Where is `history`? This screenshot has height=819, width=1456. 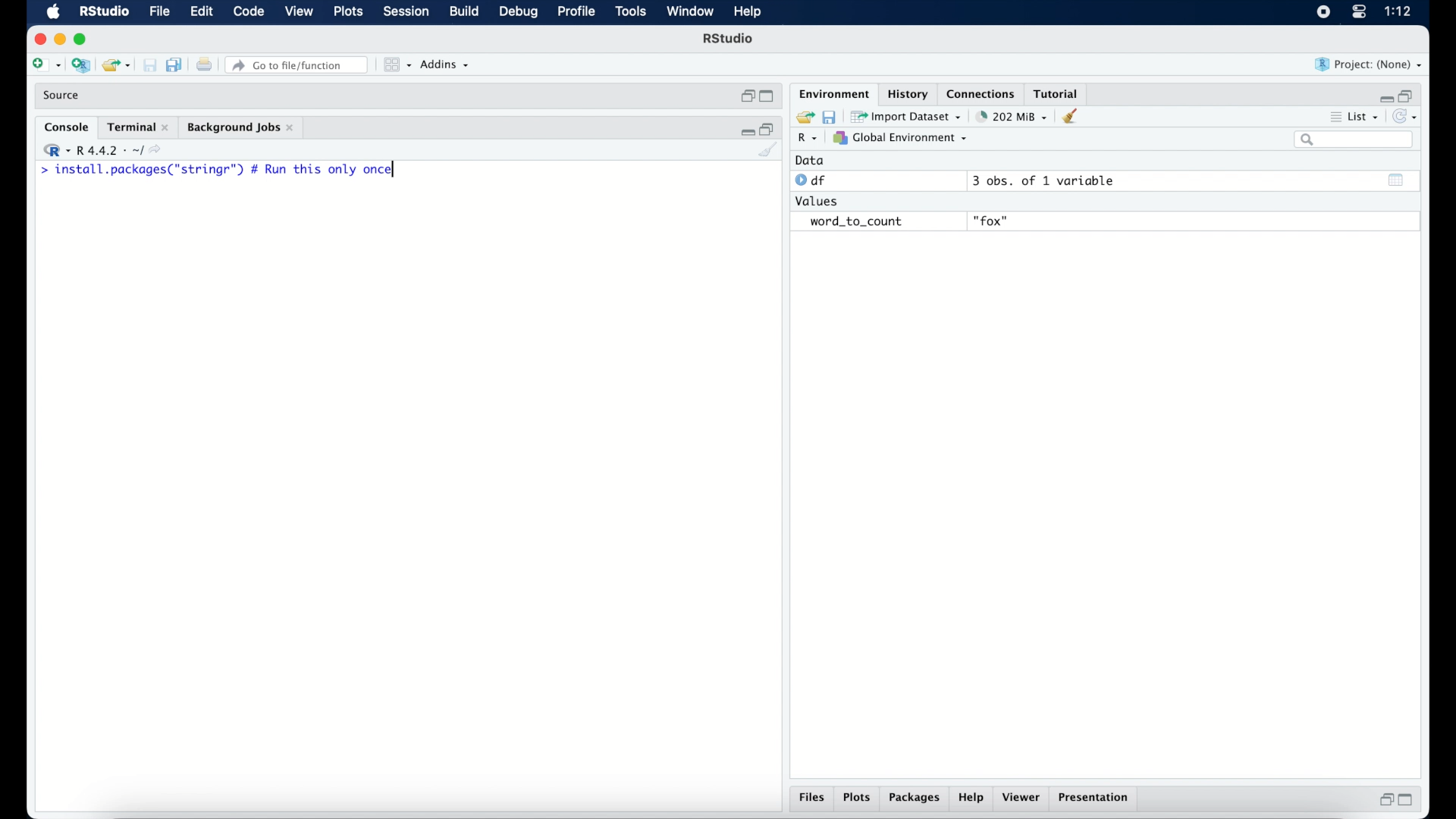
history is located at coordinates (906, 94).